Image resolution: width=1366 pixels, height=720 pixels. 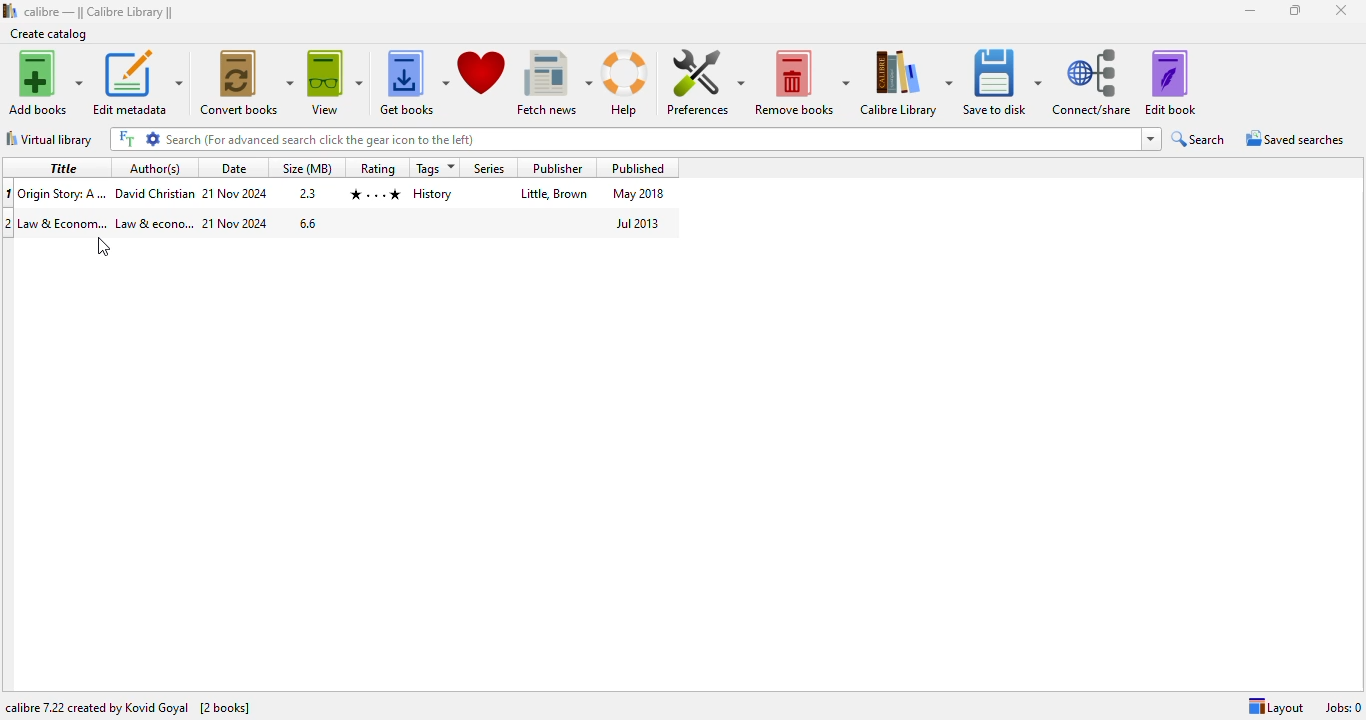 I want to click on title, so click(x=651, y=139).